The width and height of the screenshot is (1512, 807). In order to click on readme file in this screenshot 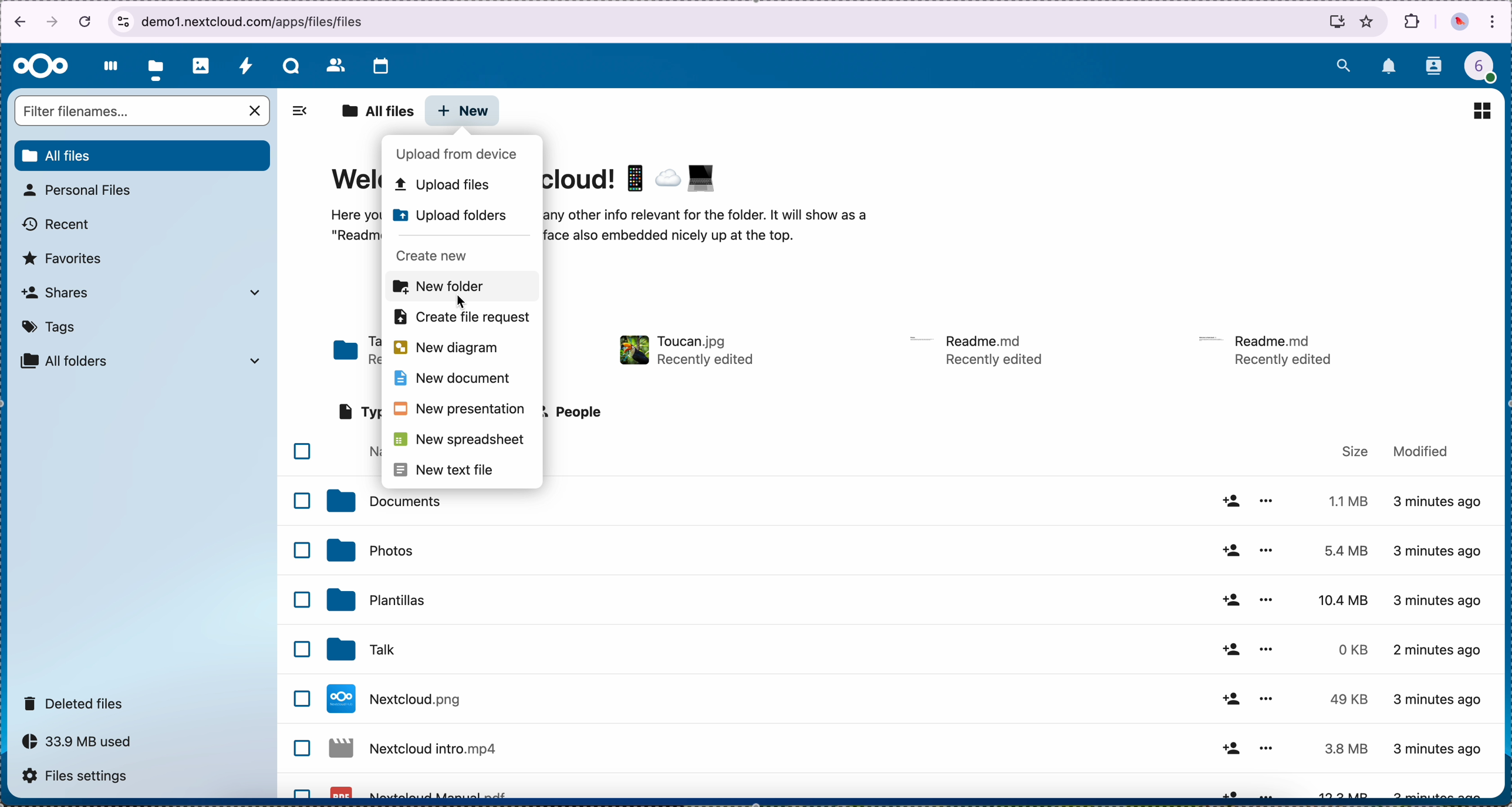, I will do `click(979, 349)`.